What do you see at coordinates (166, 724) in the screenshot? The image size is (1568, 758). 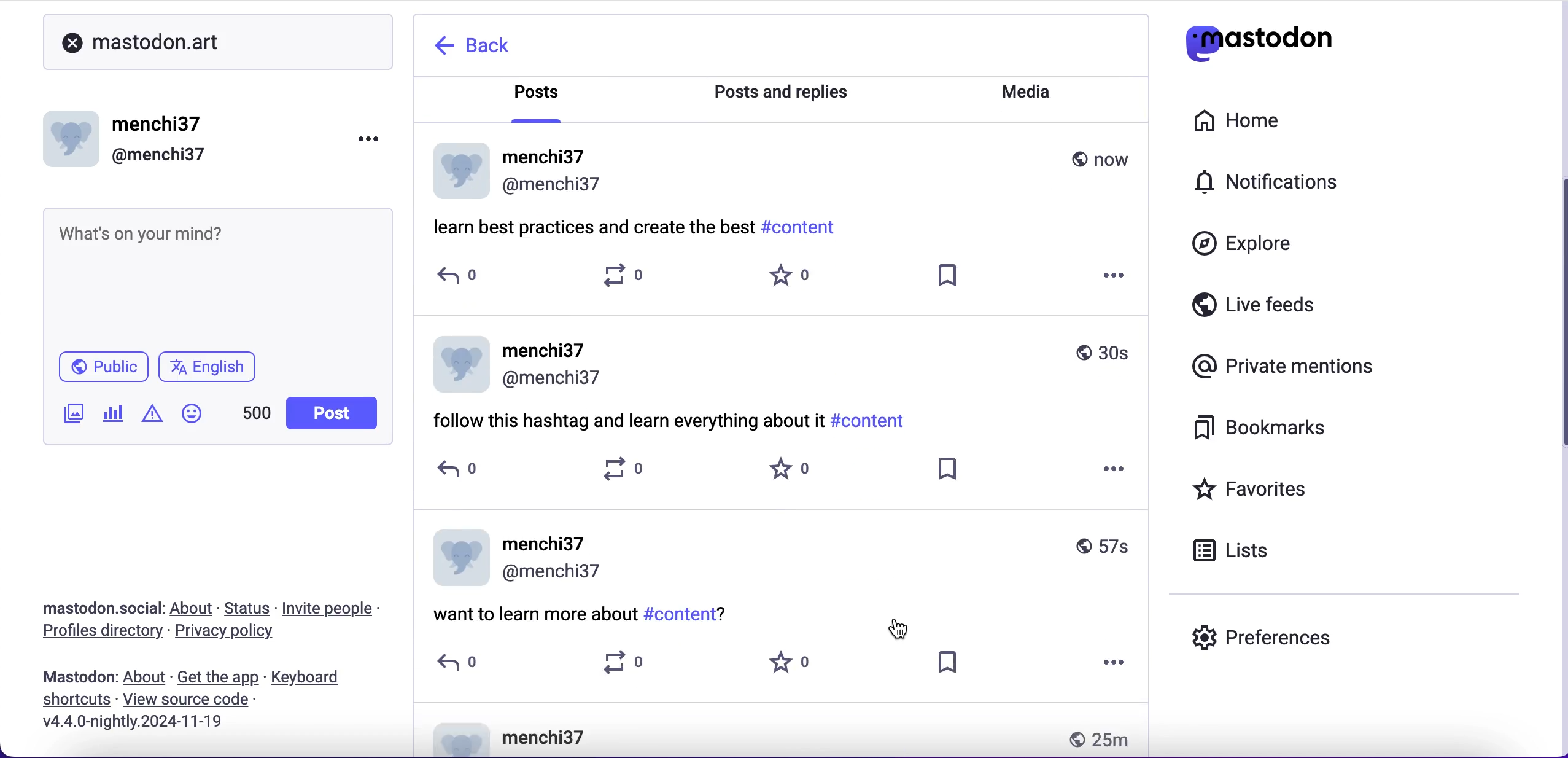 I see `2024-11-19` at bounding box center [166, 724].